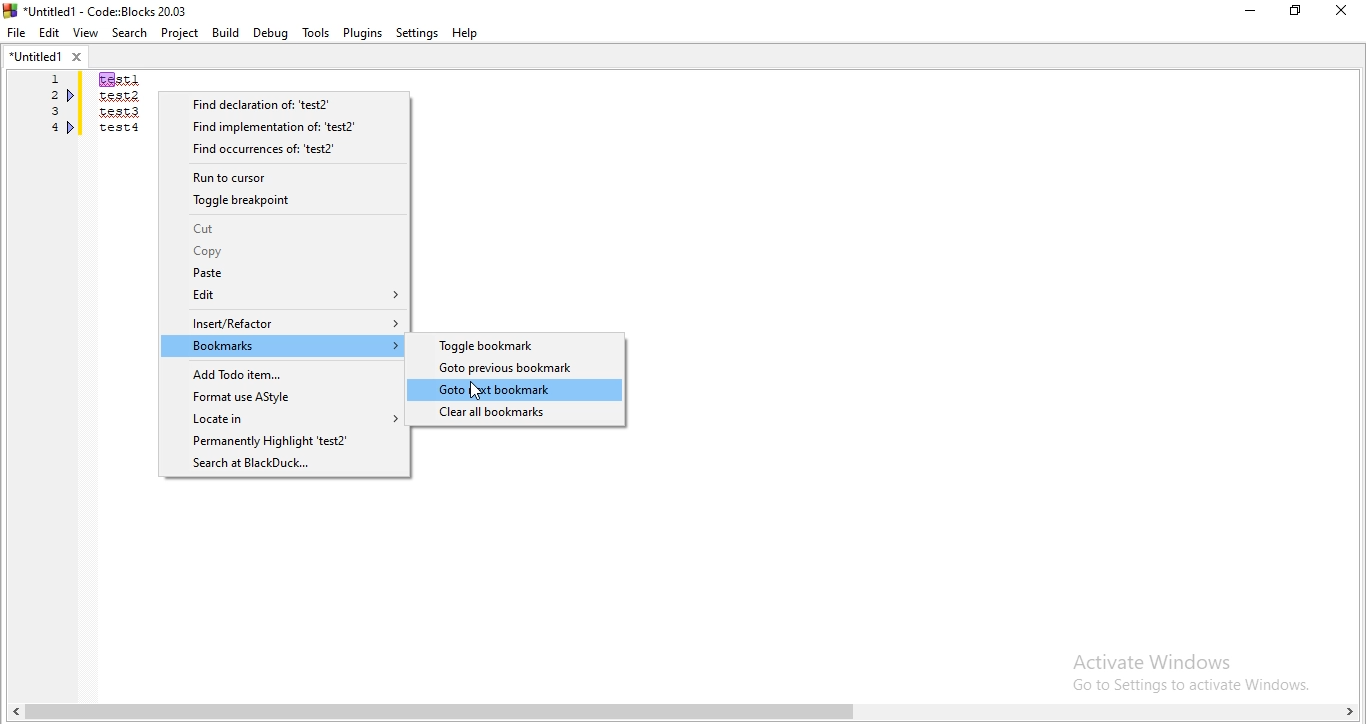 The width and height of the screenshot is (1366, 724). I want to click on tools, so click(314, 33).